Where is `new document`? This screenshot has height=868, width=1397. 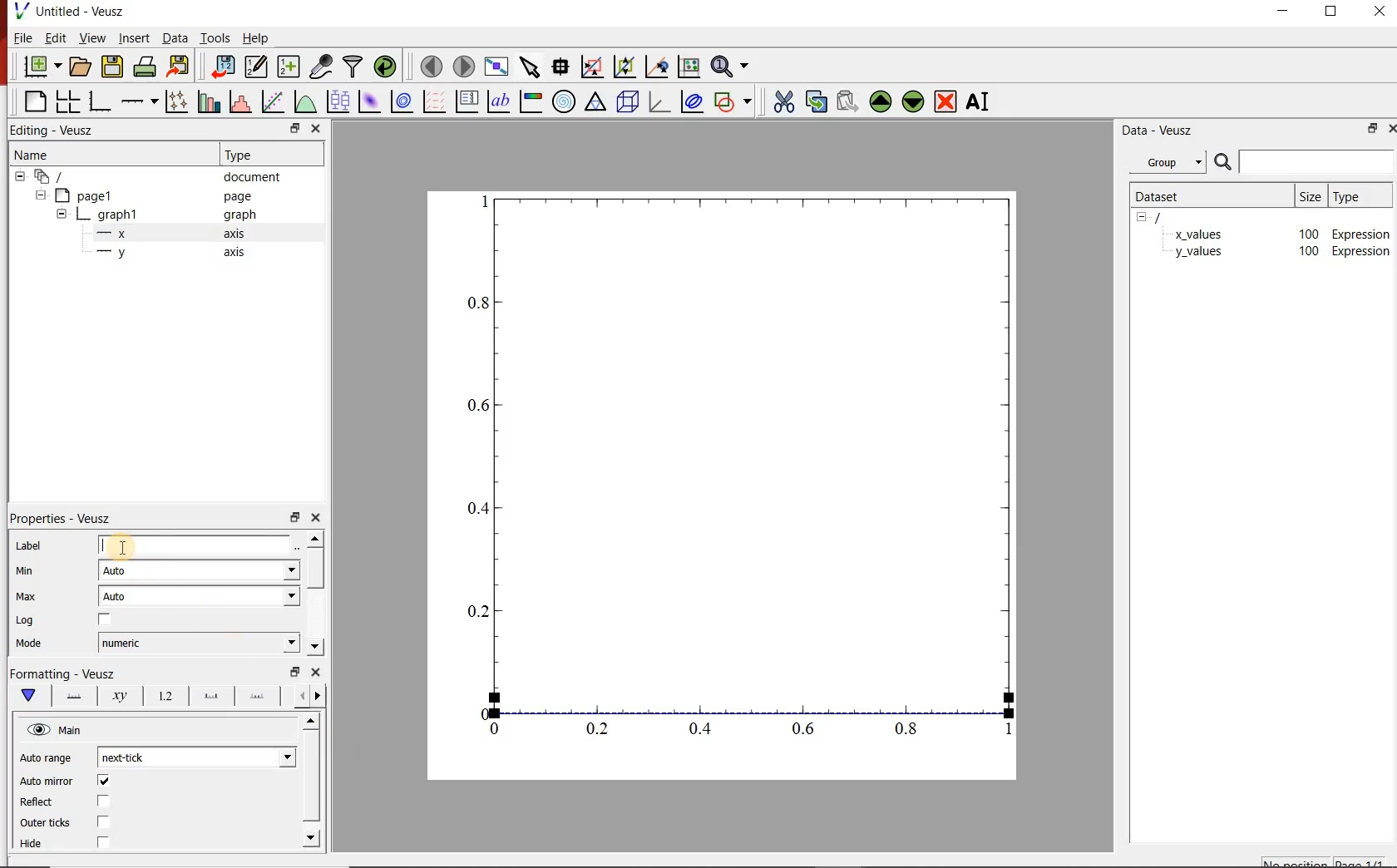 new document is located at coordinates (42, 65).